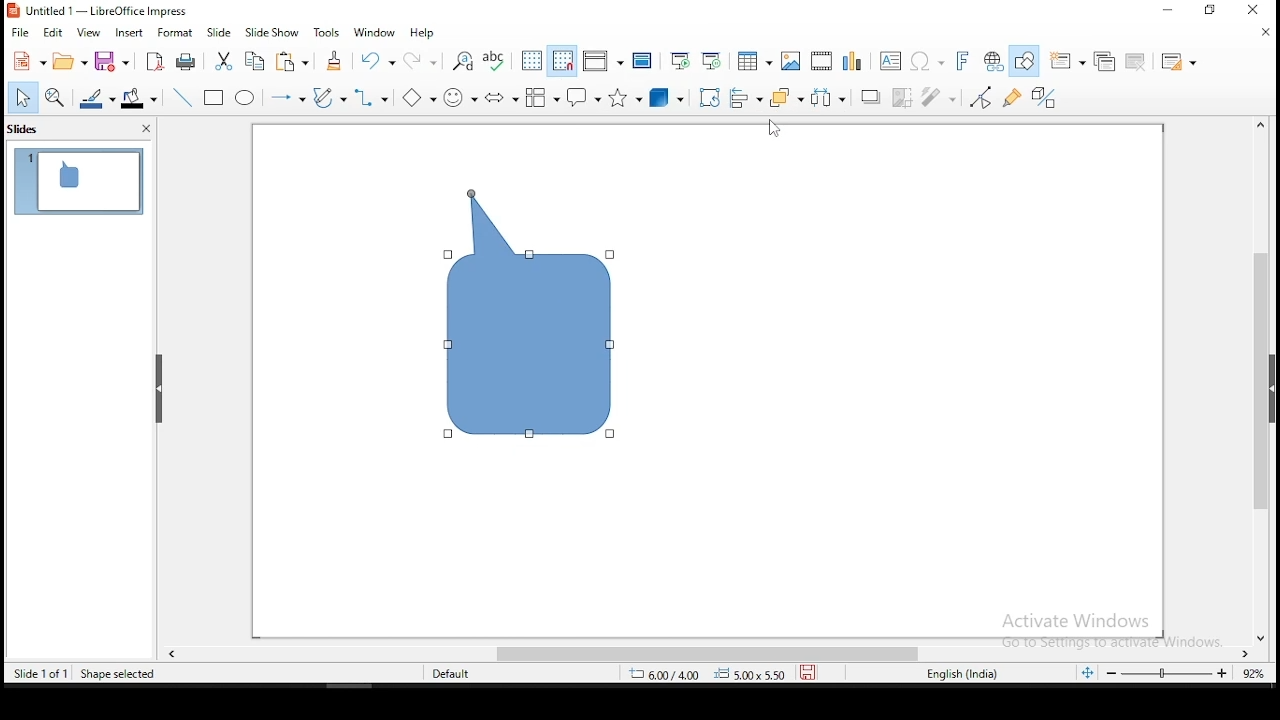 This screenshot has height=720, width=1280. I want to click on symbol shapes, so click(458, 95).